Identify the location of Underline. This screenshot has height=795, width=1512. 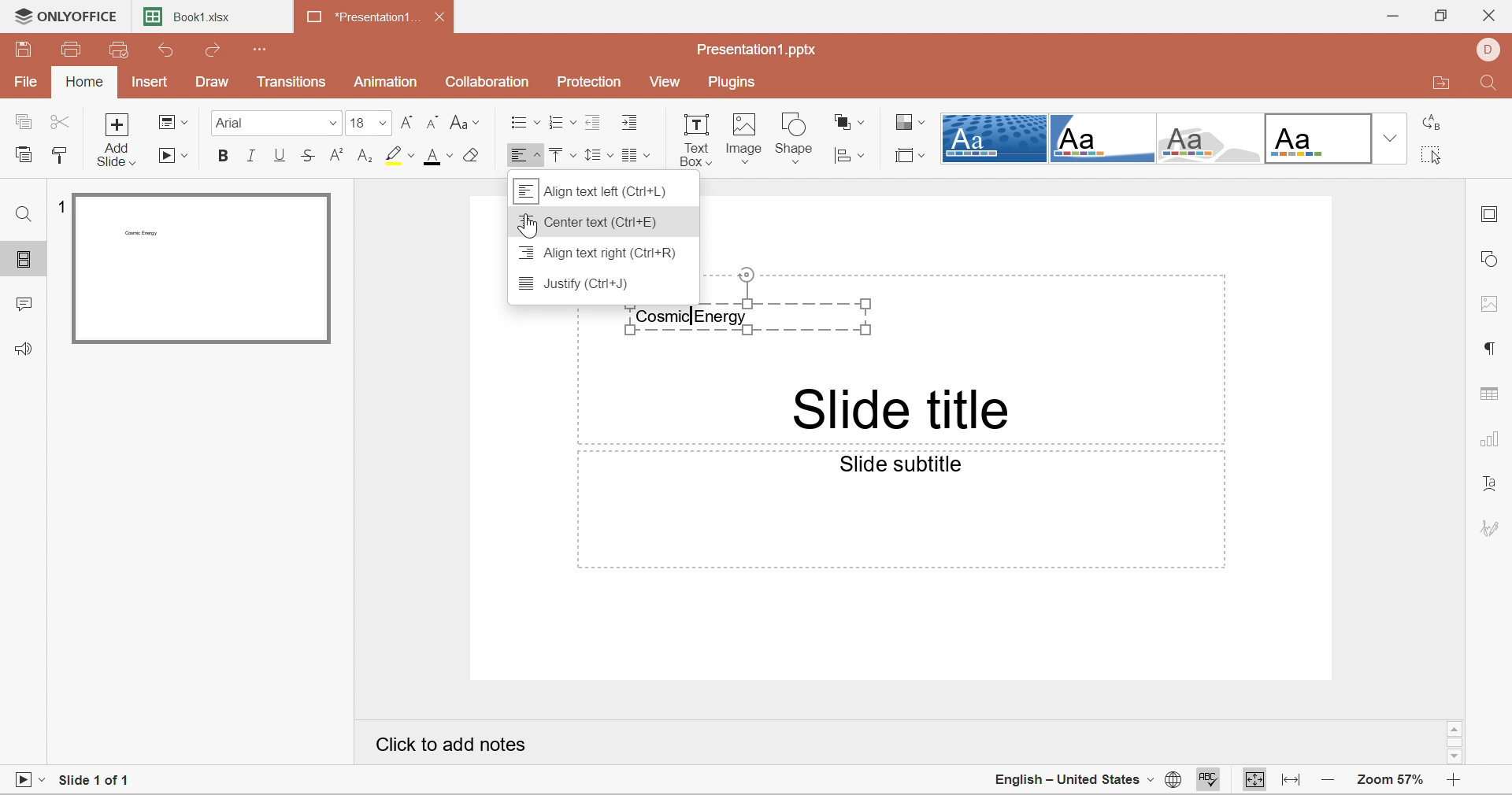
(280, 156).